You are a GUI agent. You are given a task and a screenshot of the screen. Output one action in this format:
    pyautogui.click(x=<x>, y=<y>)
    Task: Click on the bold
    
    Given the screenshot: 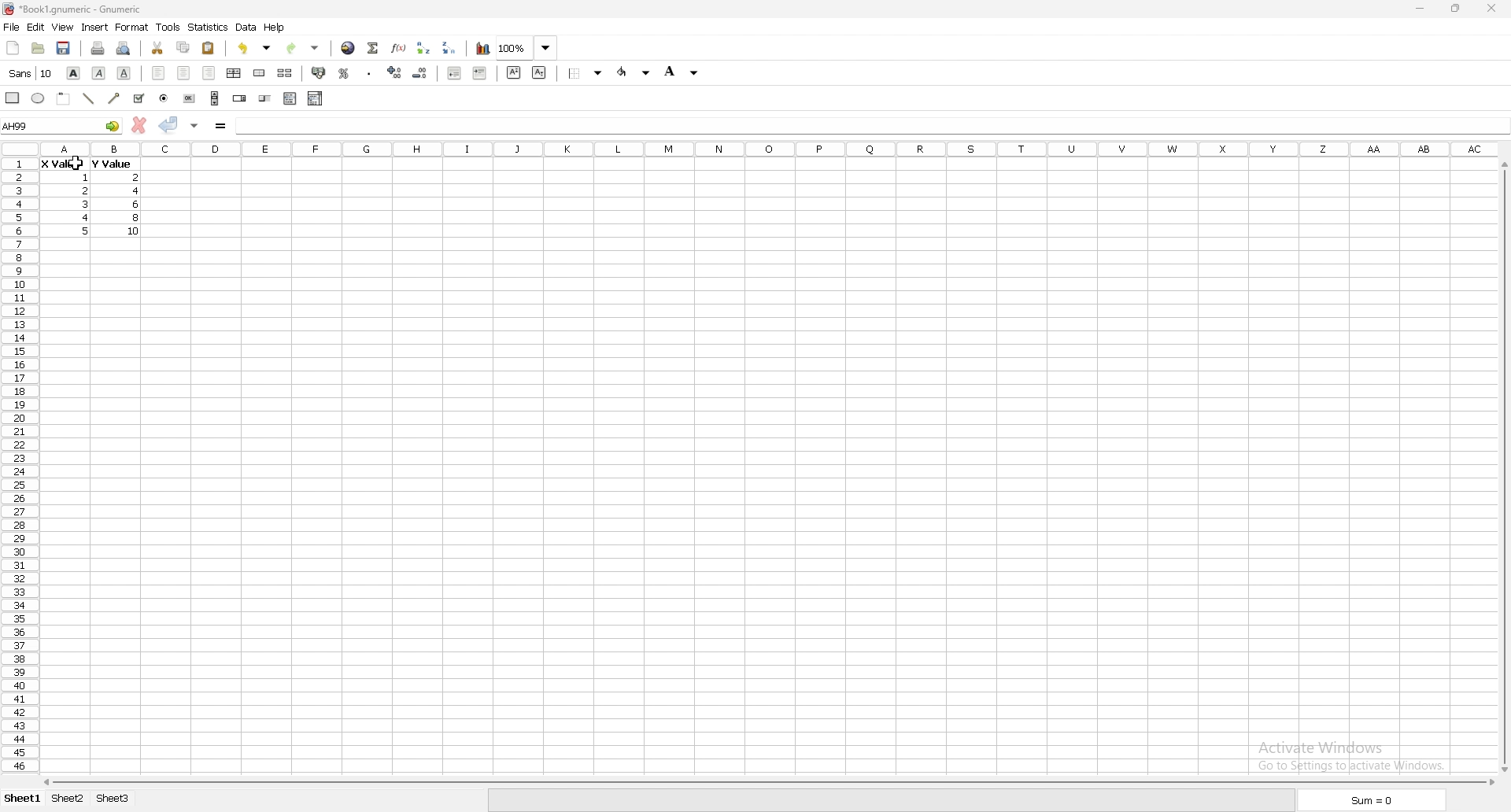 What is the action you would take?
    pyautogui.click(x=74, y=72)
    